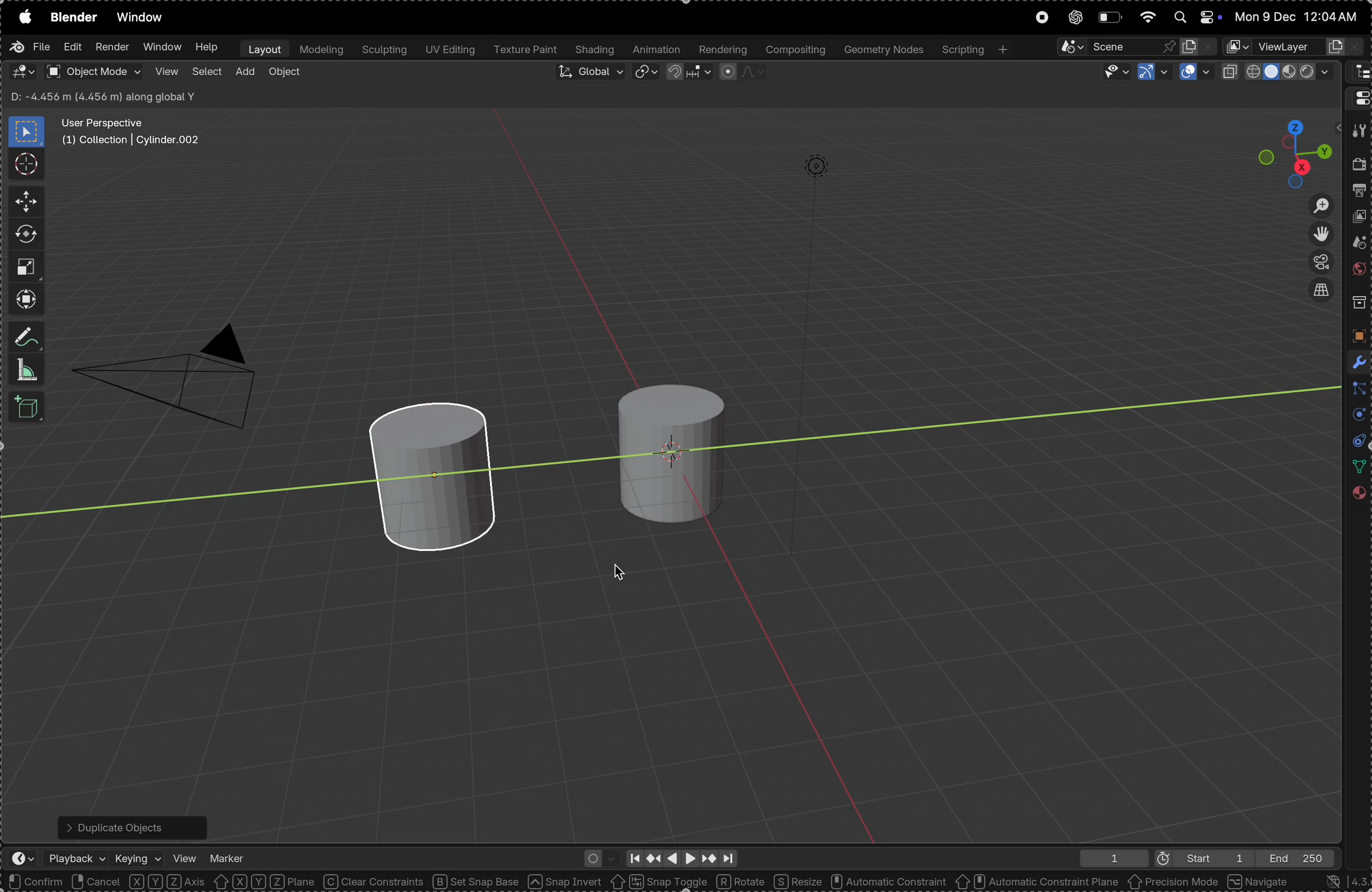  Describe the element at coordinates (597, 857) in the screenshot. I see `auto keying` at that location.